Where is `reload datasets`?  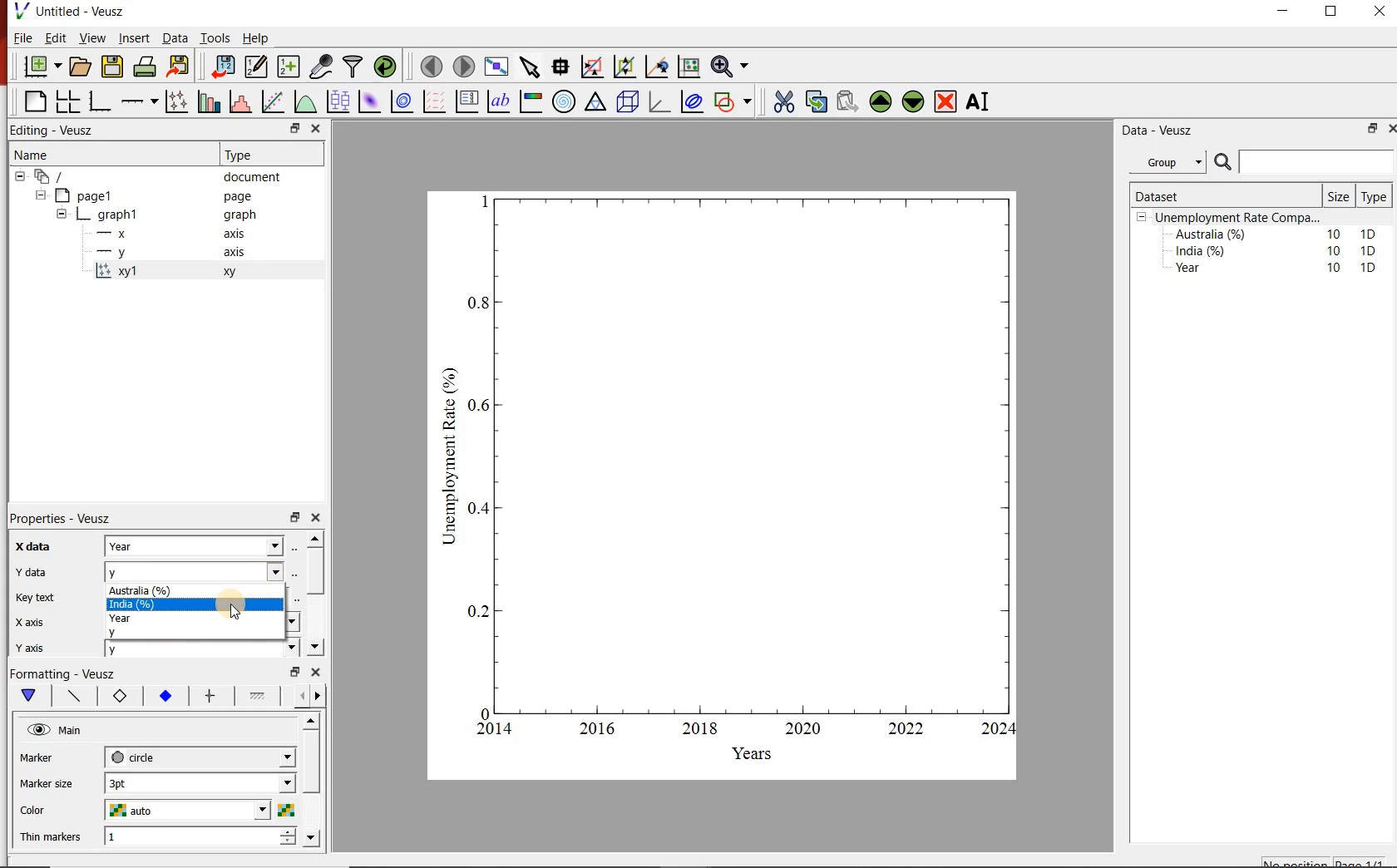 reload datasets is located at coordinates (386, 66).